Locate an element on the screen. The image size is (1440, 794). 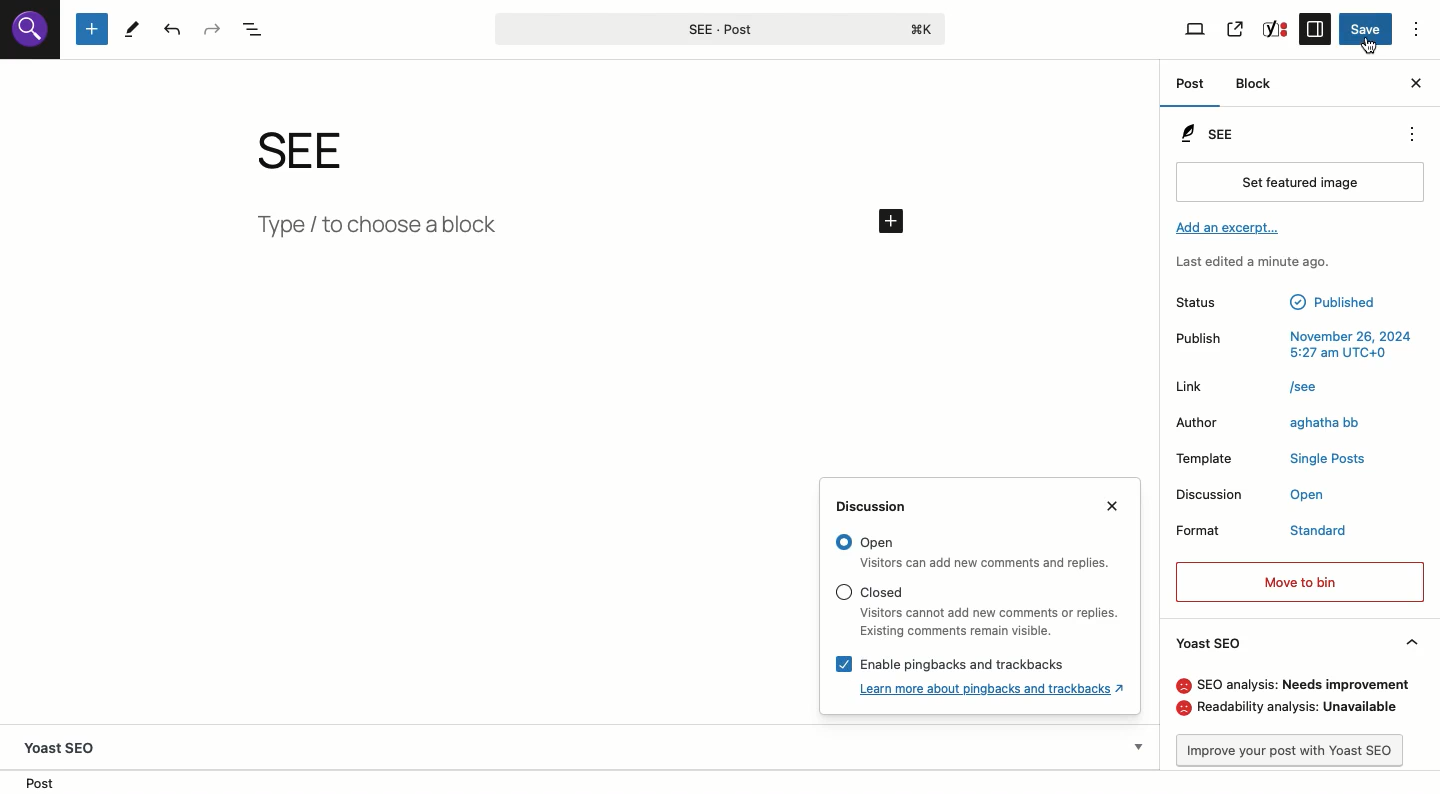
Post is located at coordinates (1190, 83).